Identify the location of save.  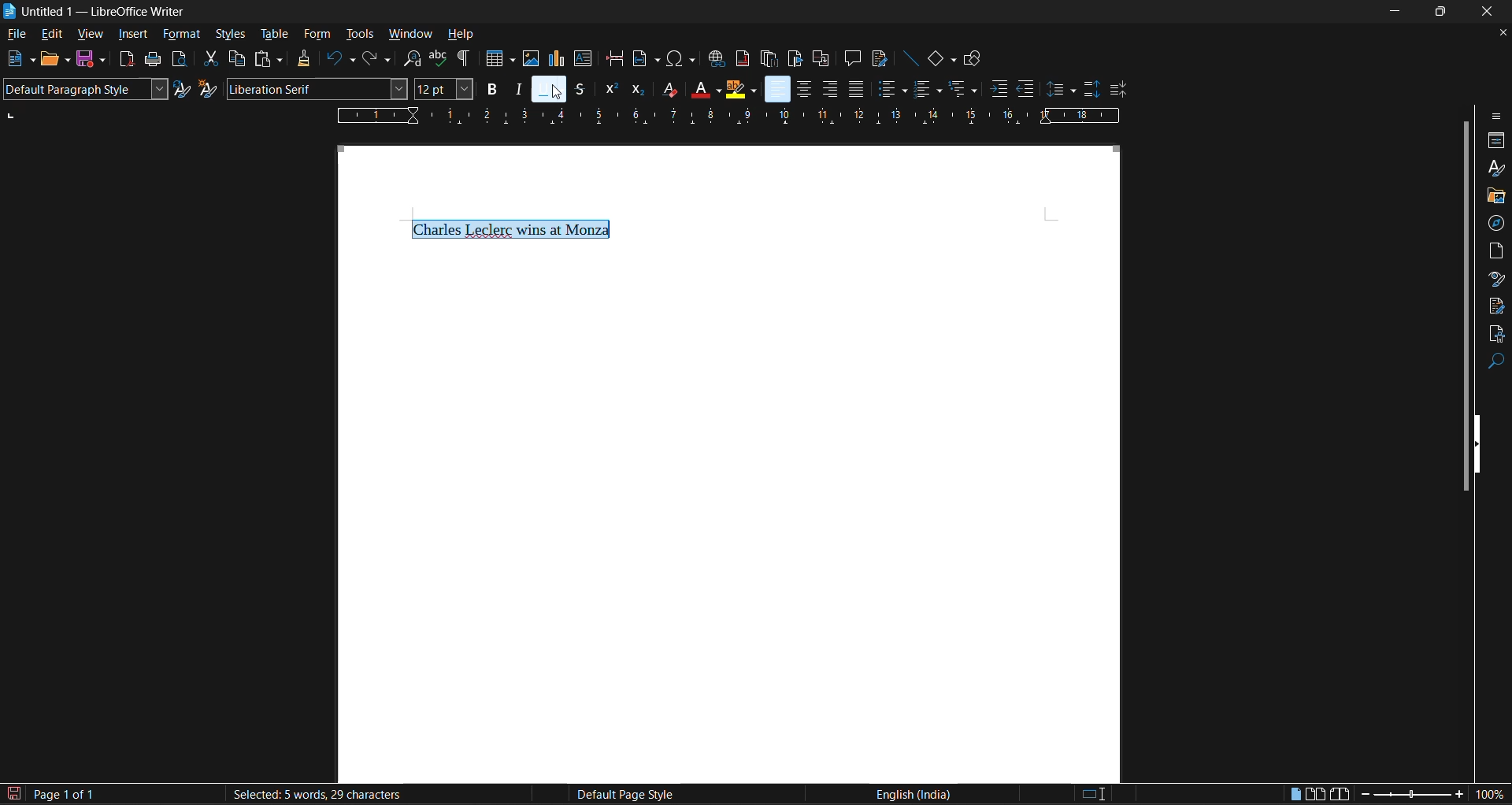
(90, 61).